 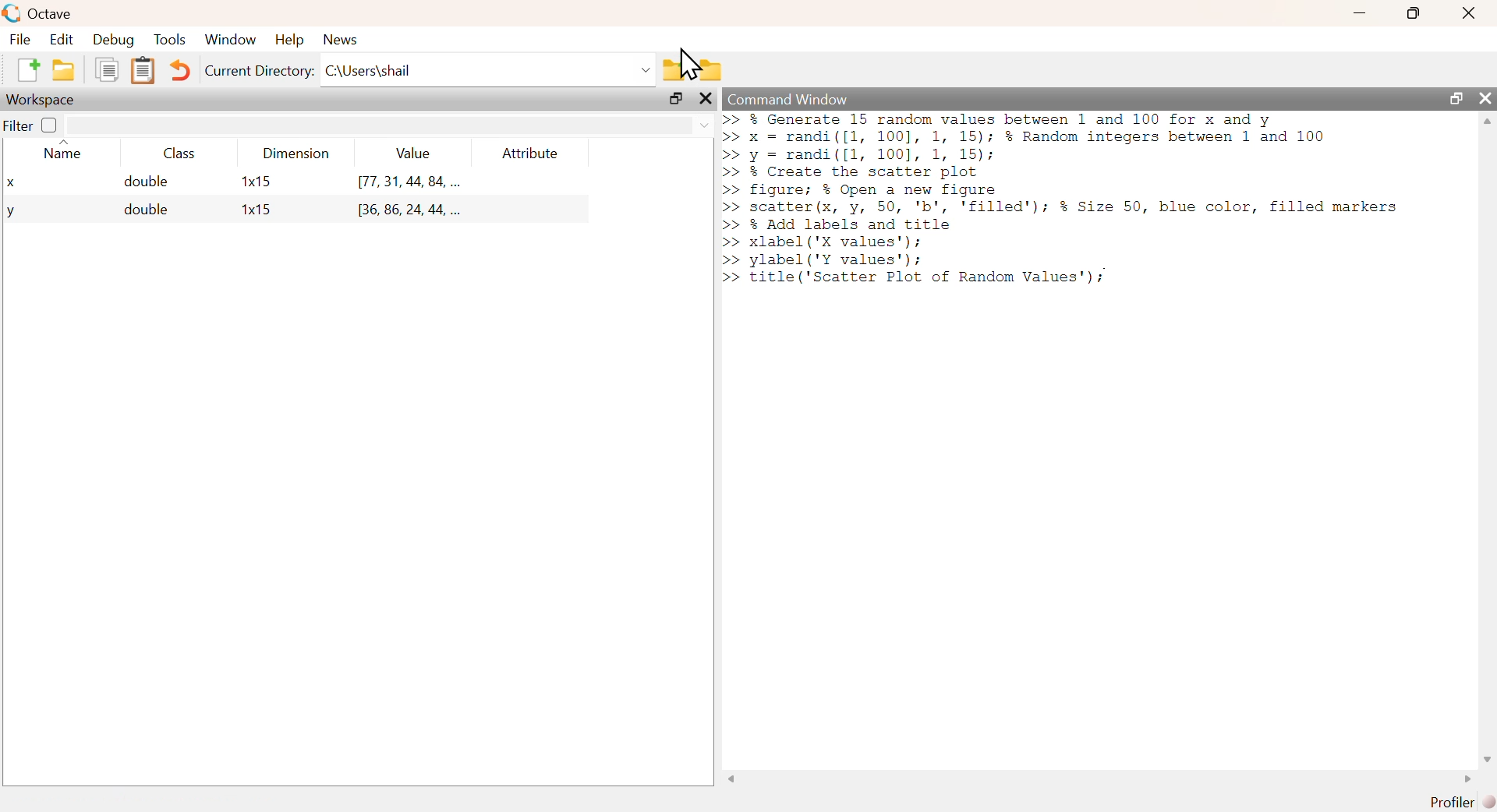 I want to click on scroll up, so click(x=1483, y=122).